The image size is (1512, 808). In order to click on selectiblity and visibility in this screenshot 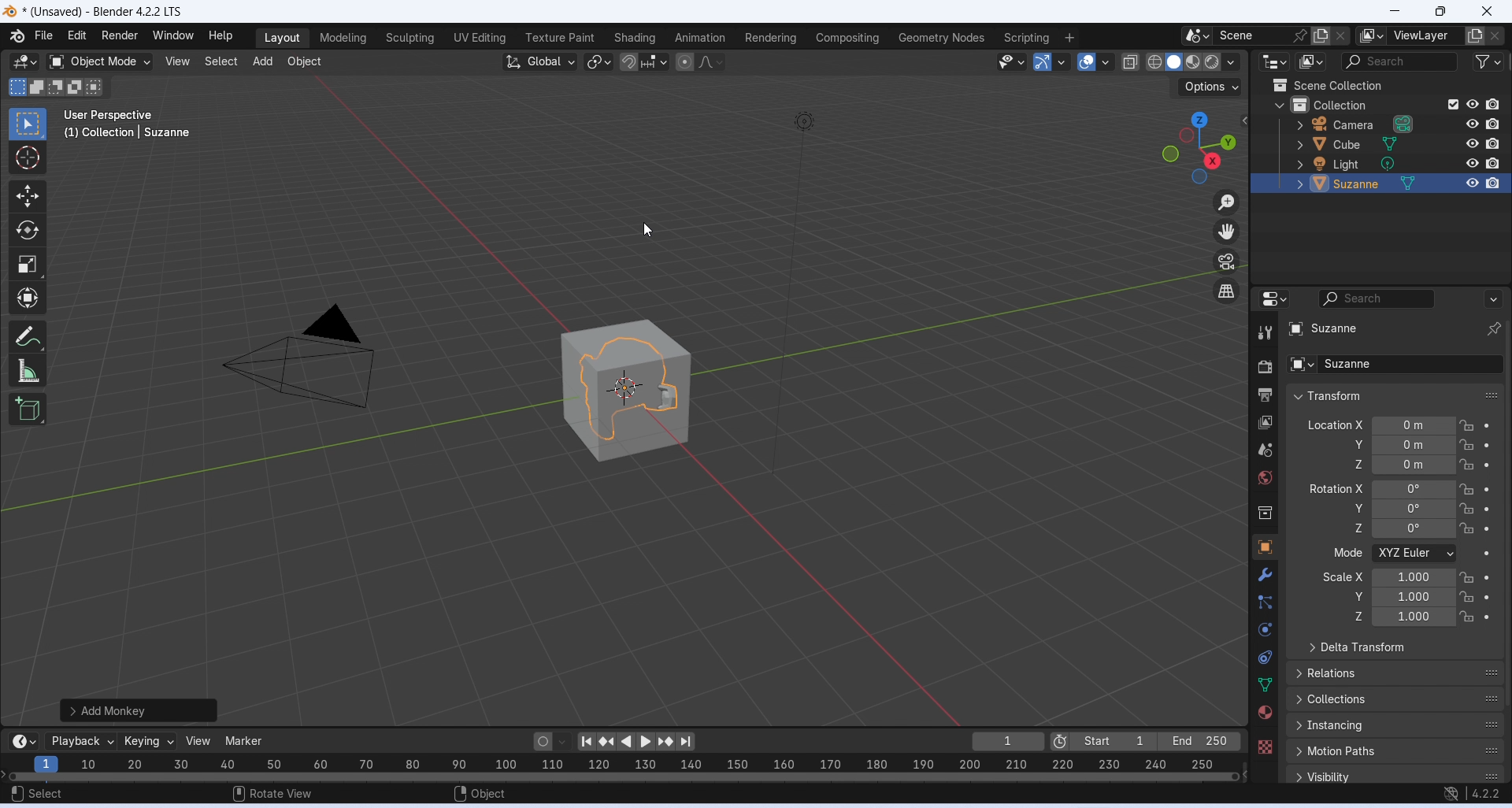, I will do `click(1013, 61)`.